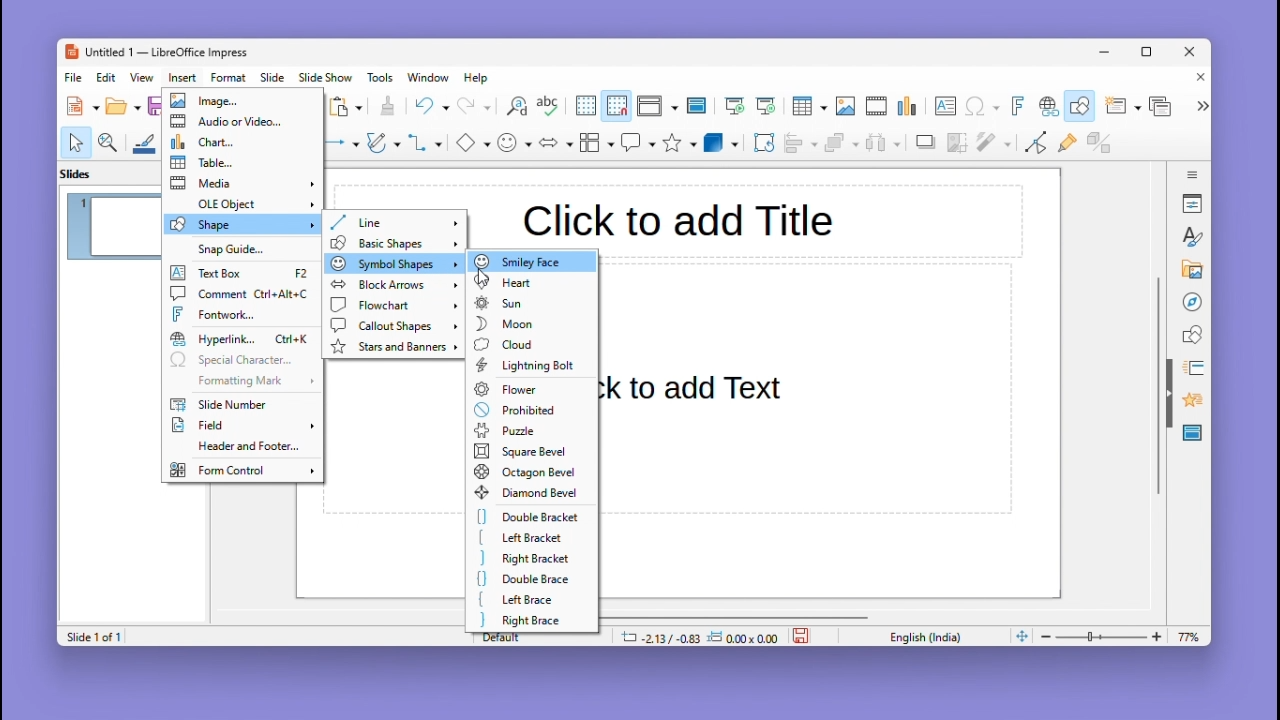 The height and width of the screenshot is (720, 1280). What do you see at coordinates (734, 616) in the screenshot?
I see `Horizontal scroll bar` at bounding box center [734, 616].